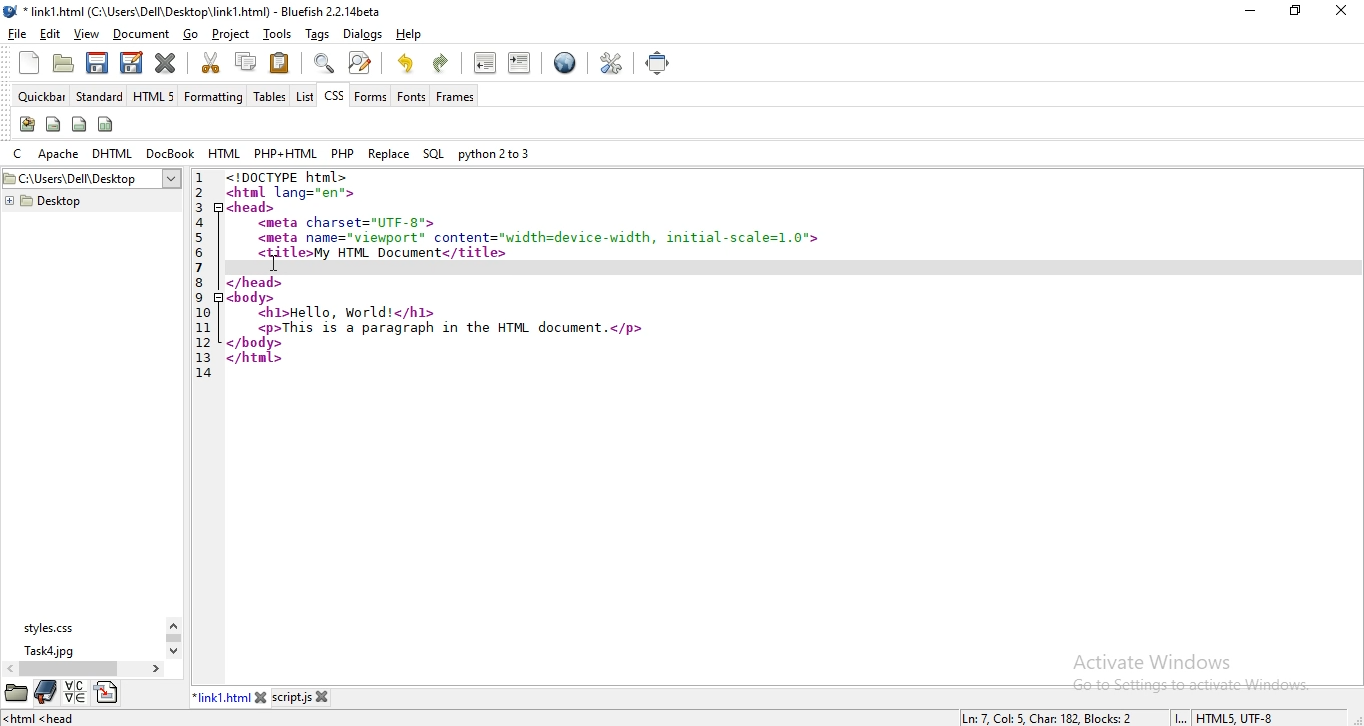  Describe the element at coordinates (188, 33) in the screenshot. I see `go` at that location.